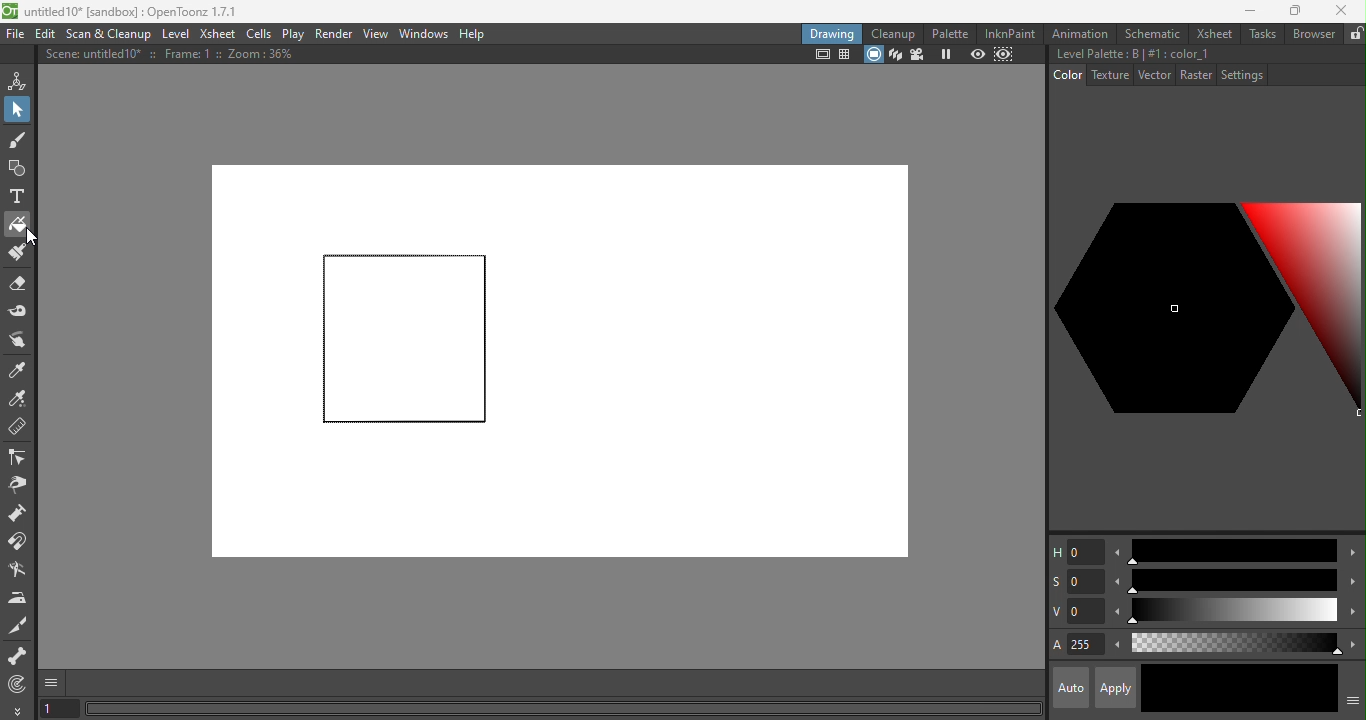 Image resolution: width=1366 pixels, height=720 pixels. What do you see at coordinates (1234, 644) in the screenshot?
I see `Slide bar` at bounding box center [1234, 644].